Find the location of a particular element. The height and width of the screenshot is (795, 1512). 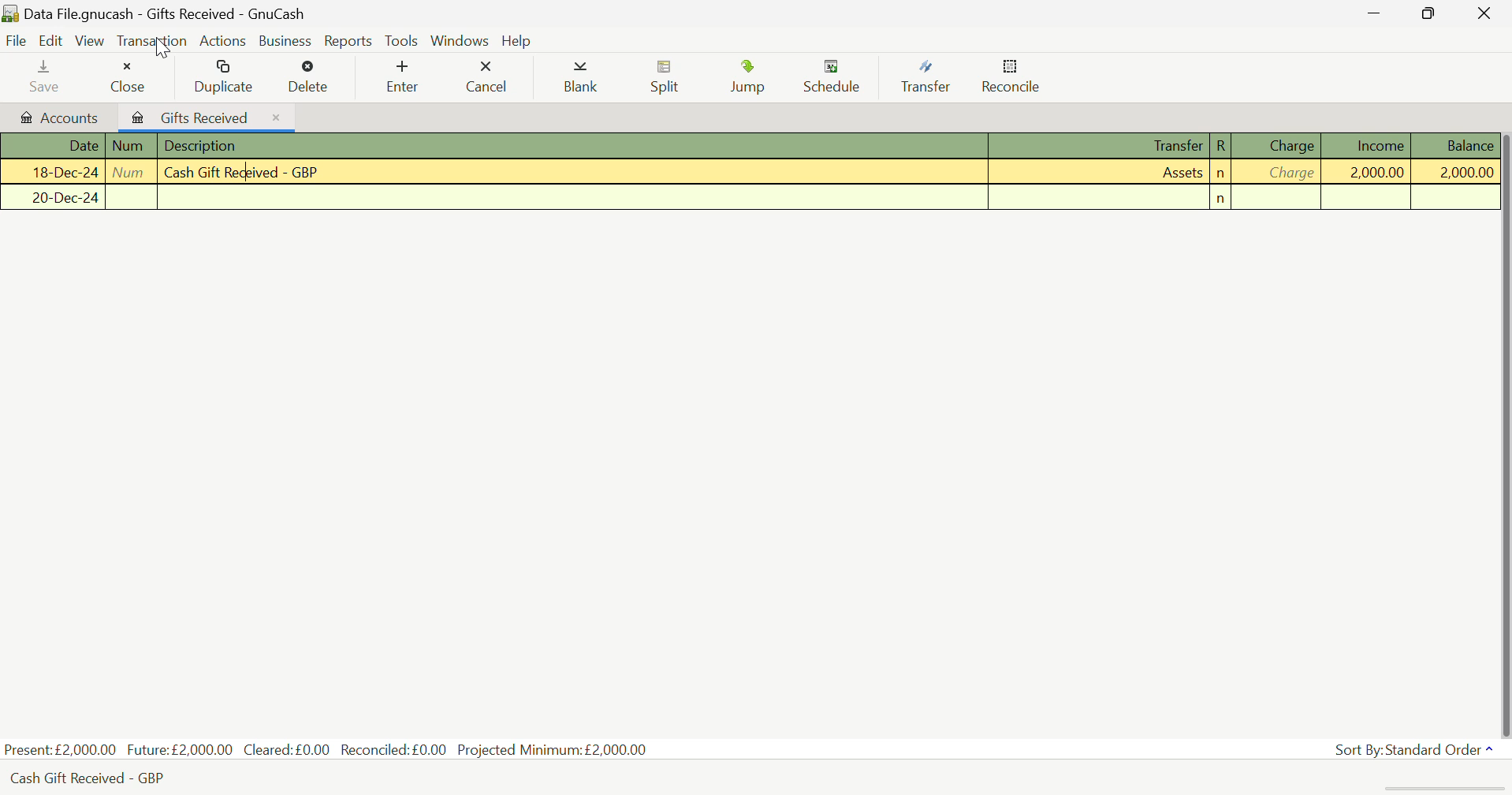

Reconciled is located at coordinates (397, 748).